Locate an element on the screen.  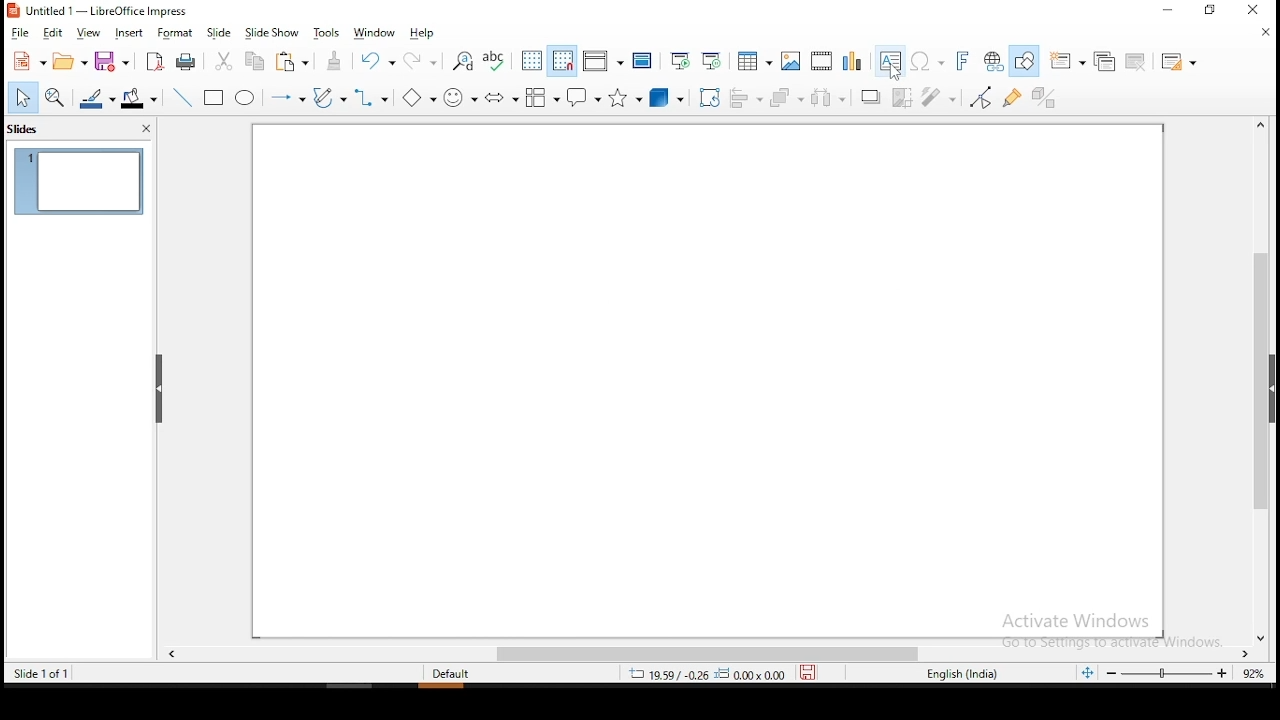
19.59/-0.26 is located at coordinates (661, 674).